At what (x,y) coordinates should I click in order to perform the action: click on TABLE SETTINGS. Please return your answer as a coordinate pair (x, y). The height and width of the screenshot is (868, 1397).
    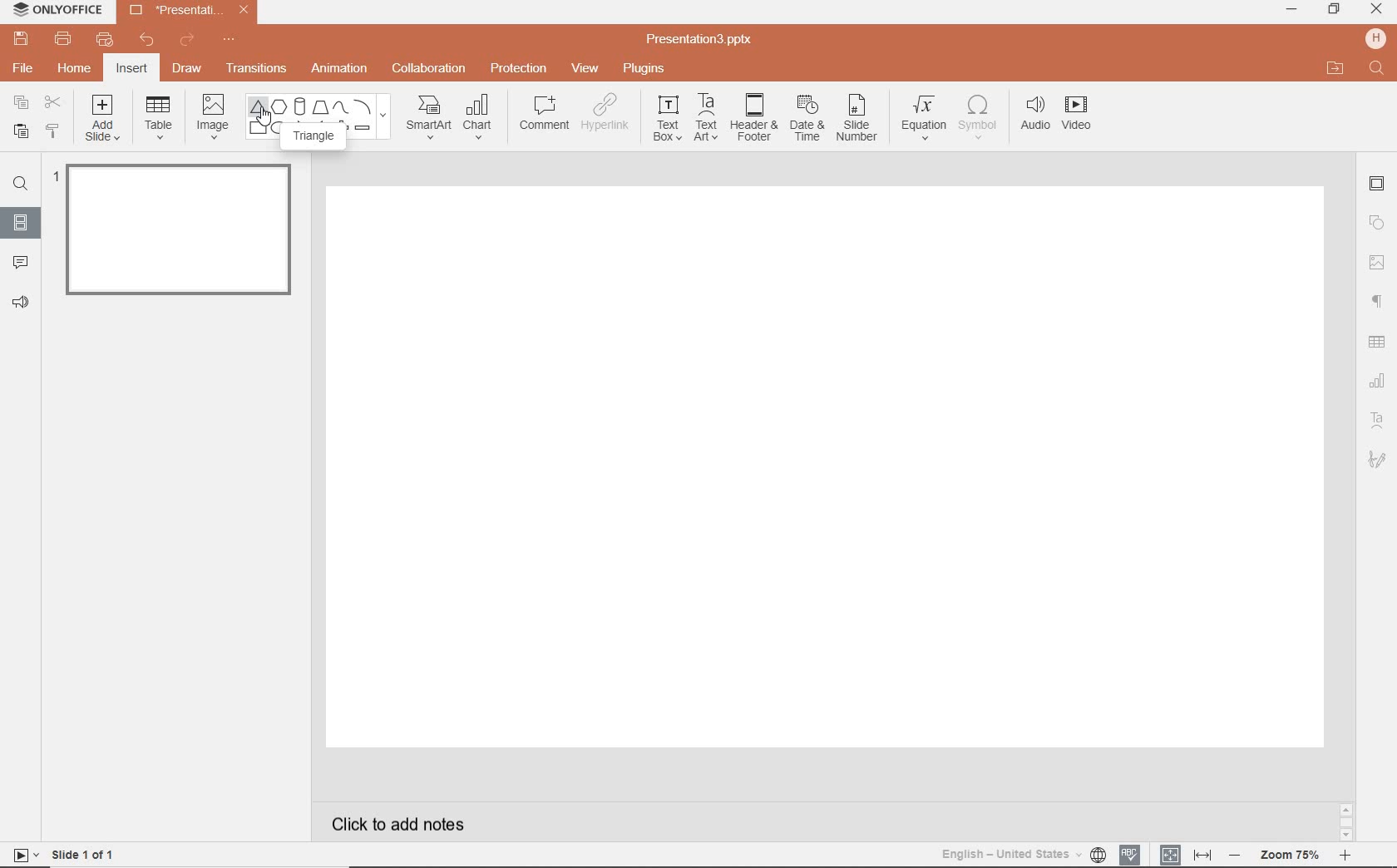
    Looking at the image, I should click on (1377, 342).